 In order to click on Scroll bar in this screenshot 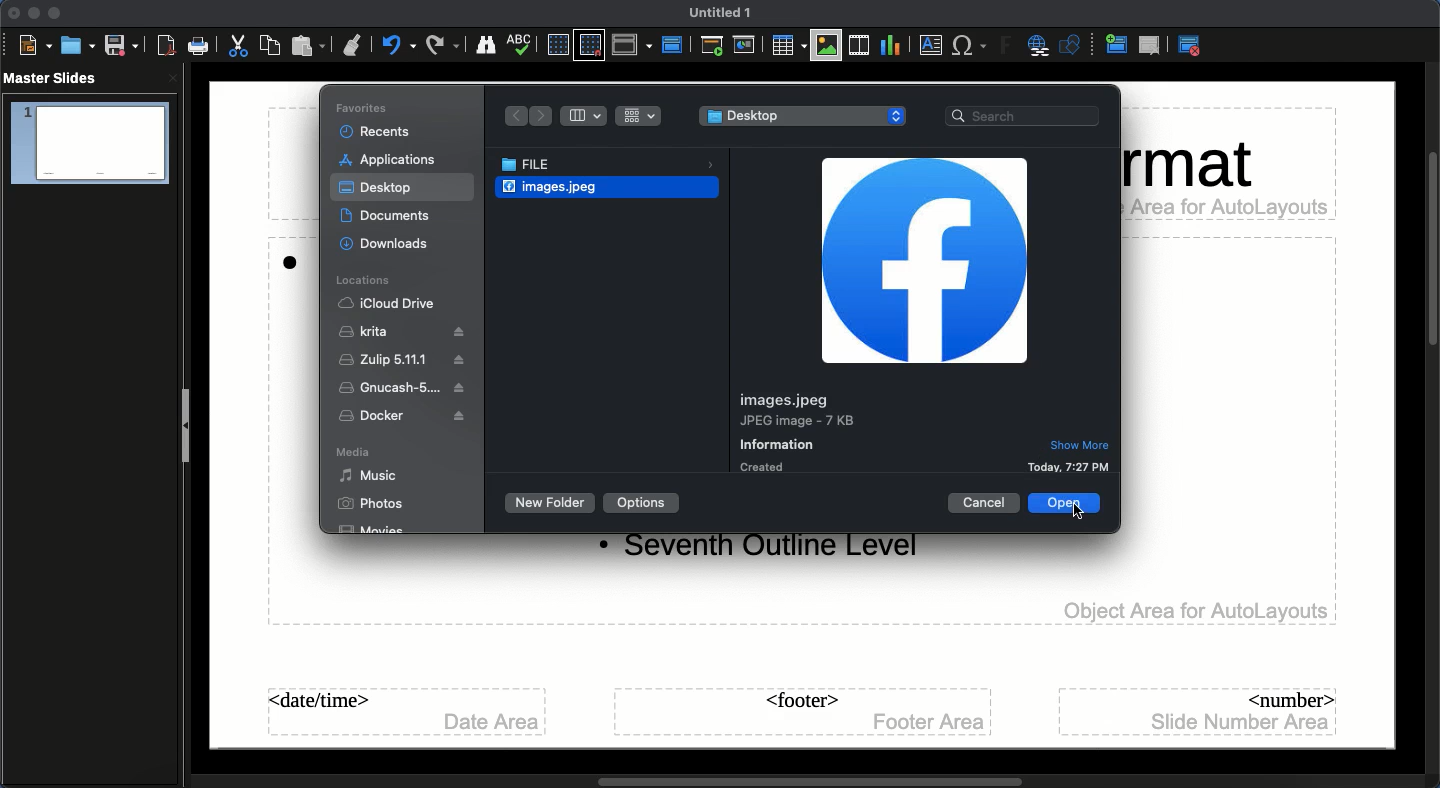, I will do `click(811, 782)`.